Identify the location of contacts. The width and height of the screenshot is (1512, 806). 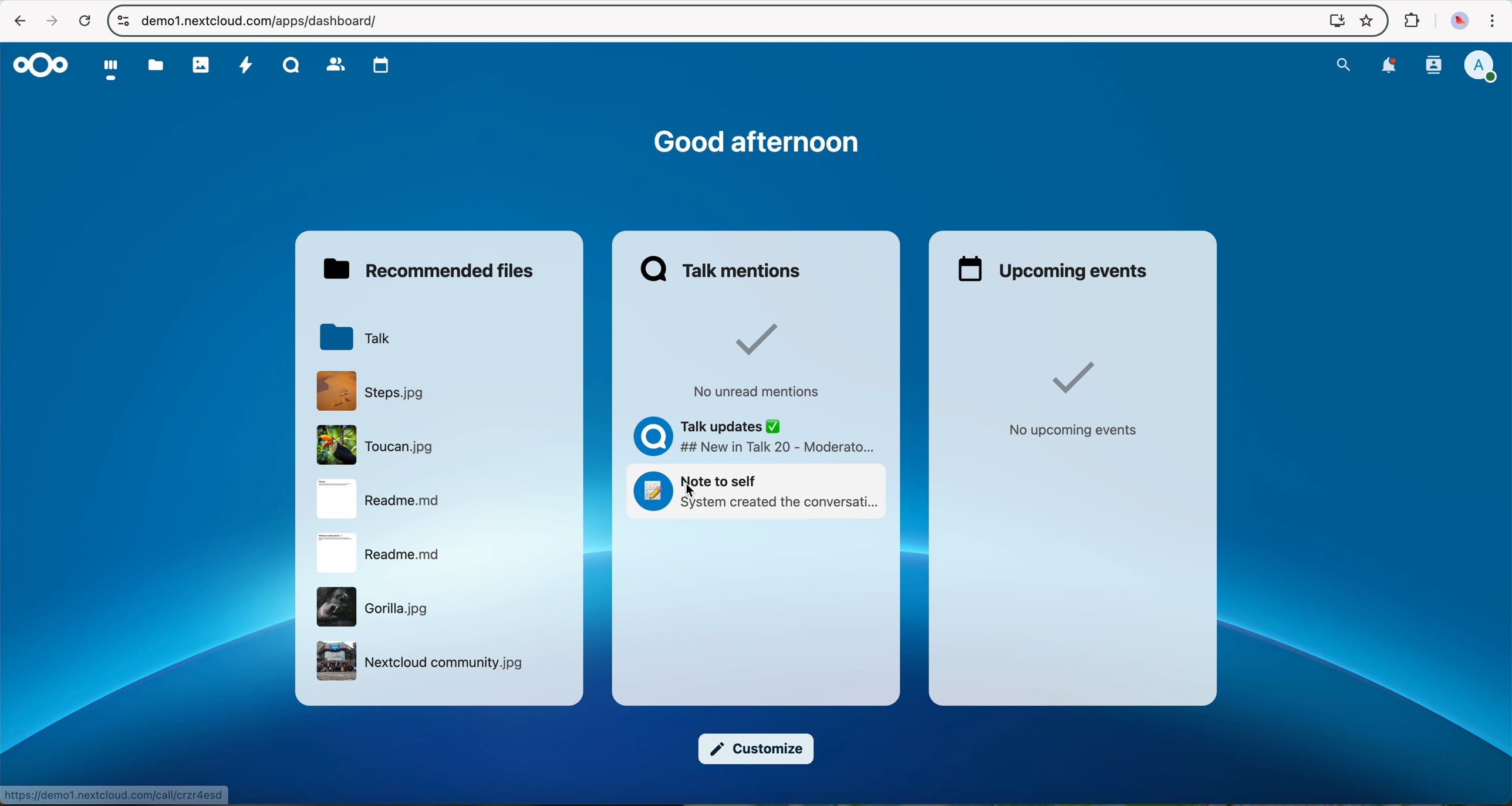
(1435, 66).